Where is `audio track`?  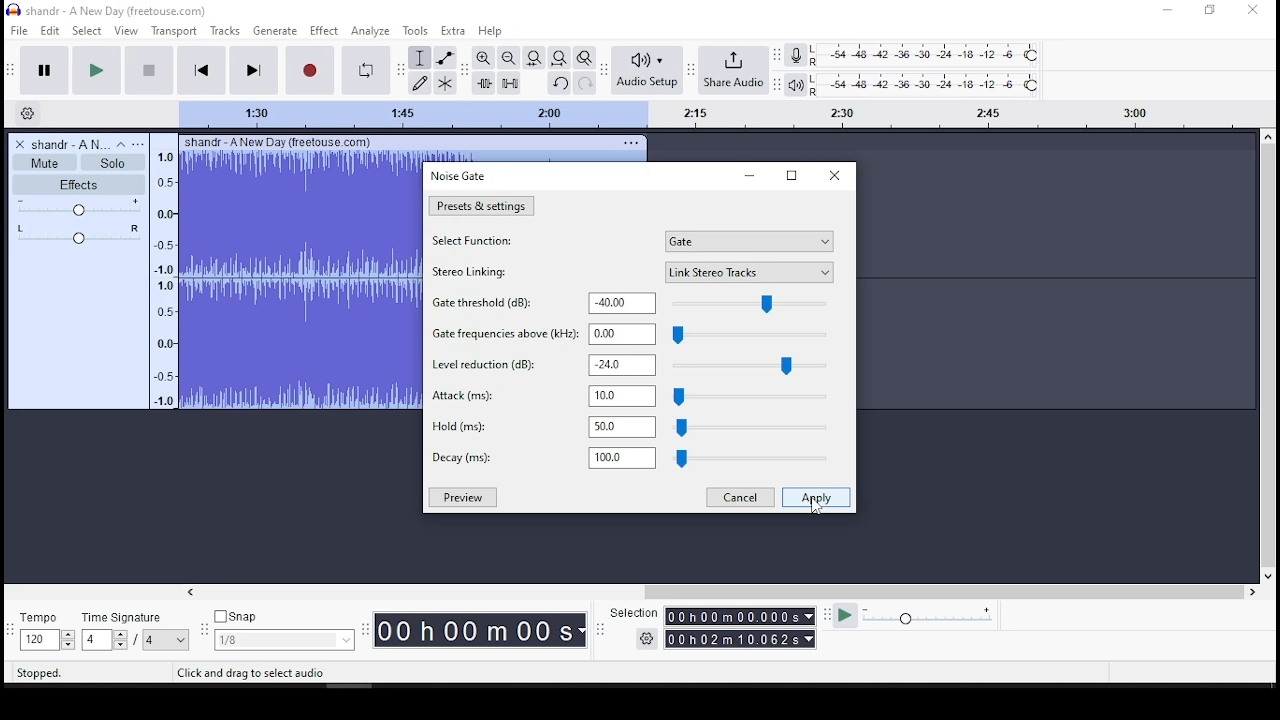
audio track is located at coordinates (300, 270).